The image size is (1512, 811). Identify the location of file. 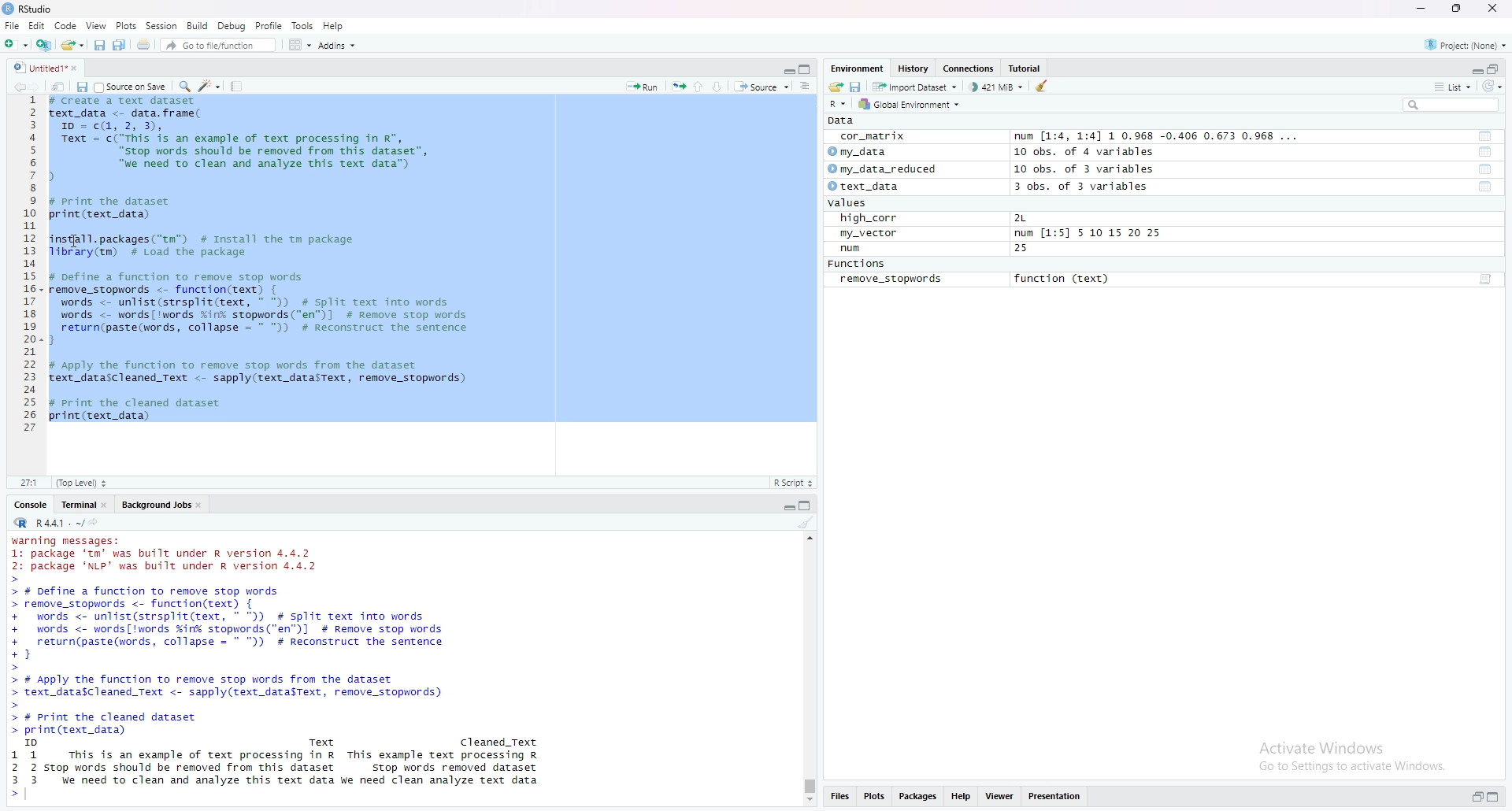
(11, 26).